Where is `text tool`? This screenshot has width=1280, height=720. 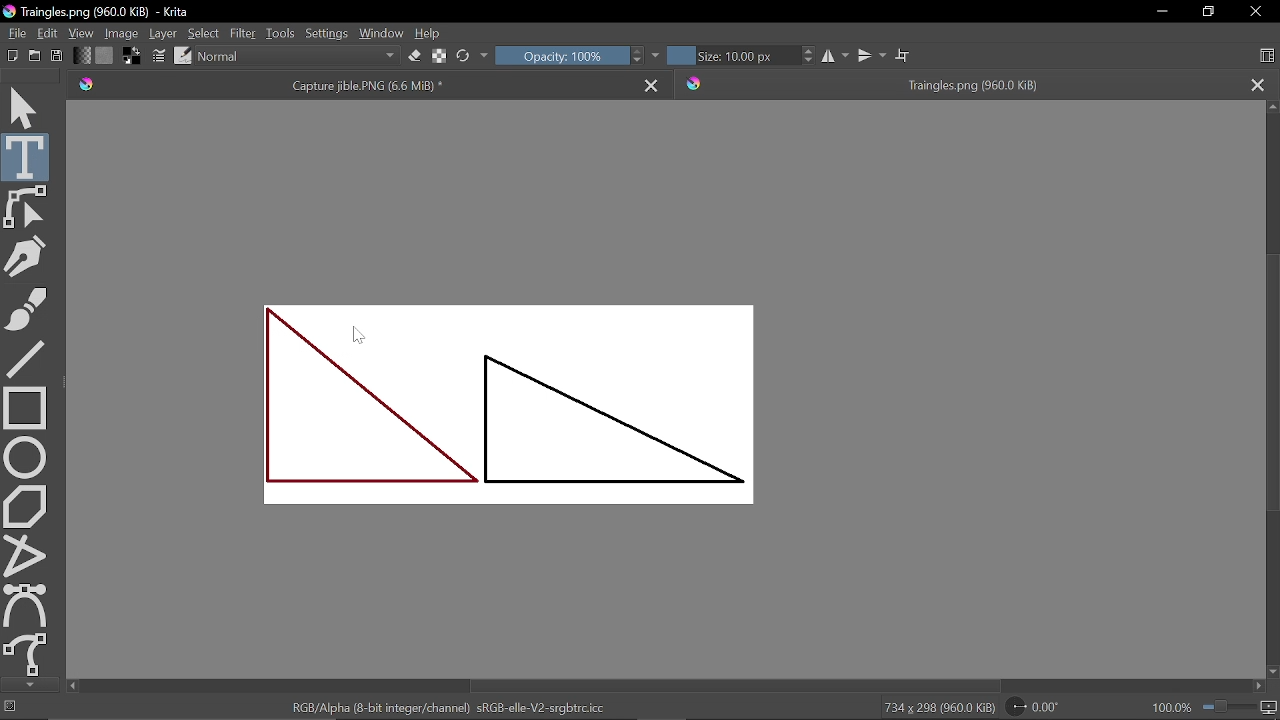
text tool is located at coordinates (26, 157).